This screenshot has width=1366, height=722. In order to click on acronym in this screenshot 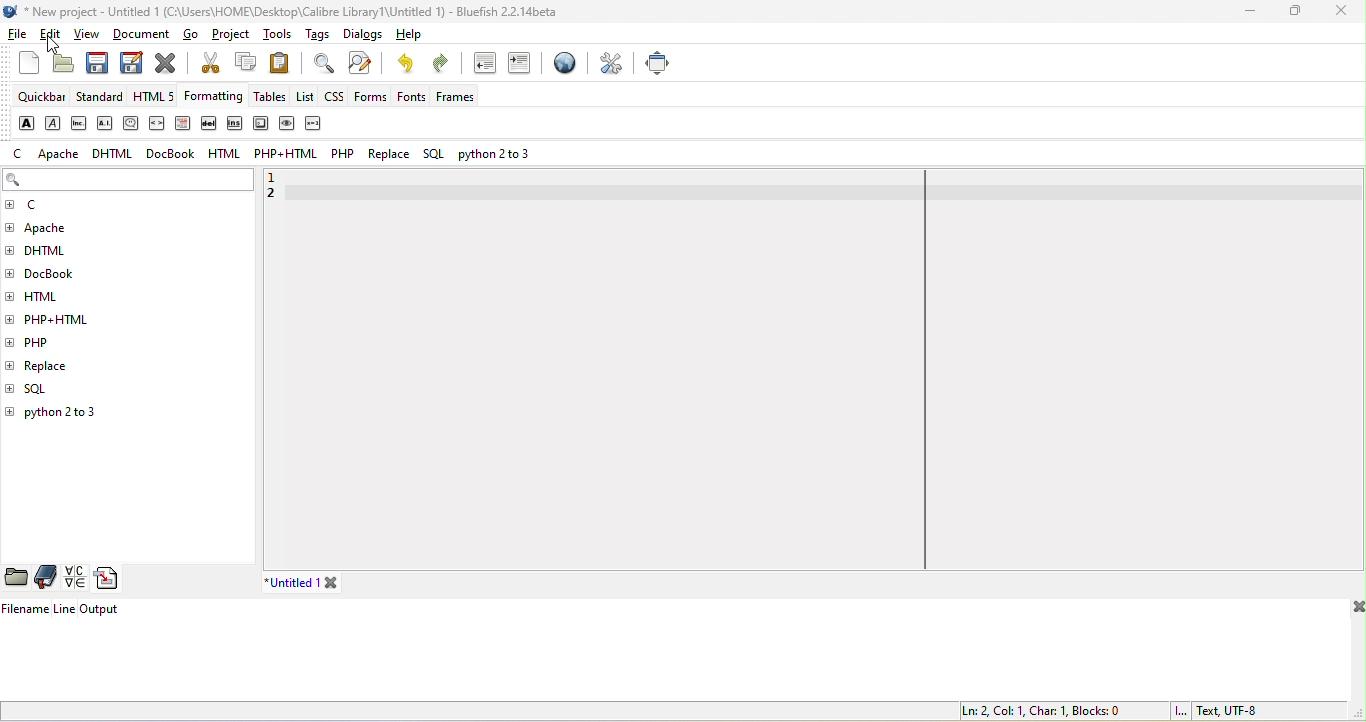, I will do `click(107, 123)`.